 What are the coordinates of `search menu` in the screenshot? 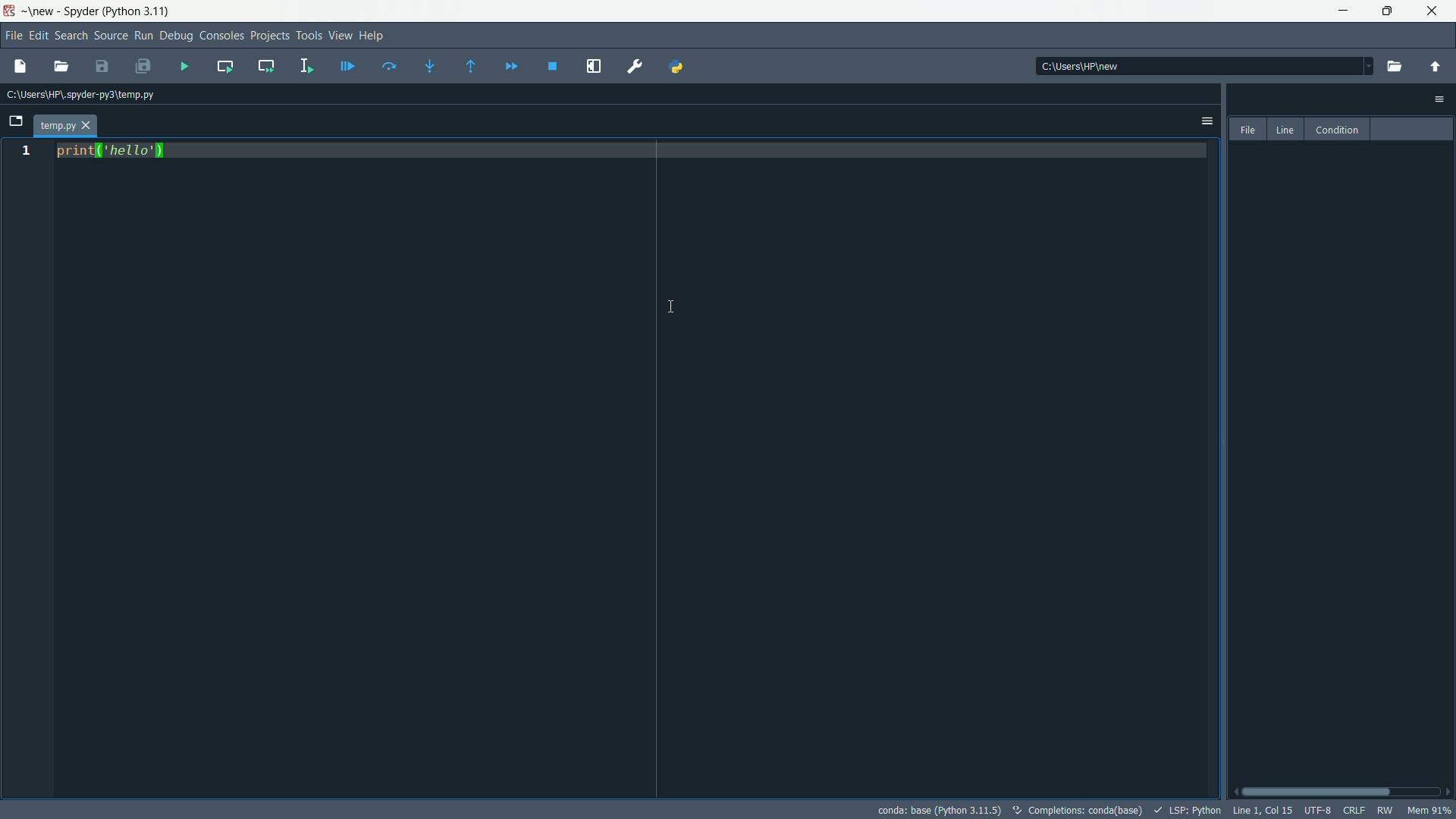 It's located at (70, 37).